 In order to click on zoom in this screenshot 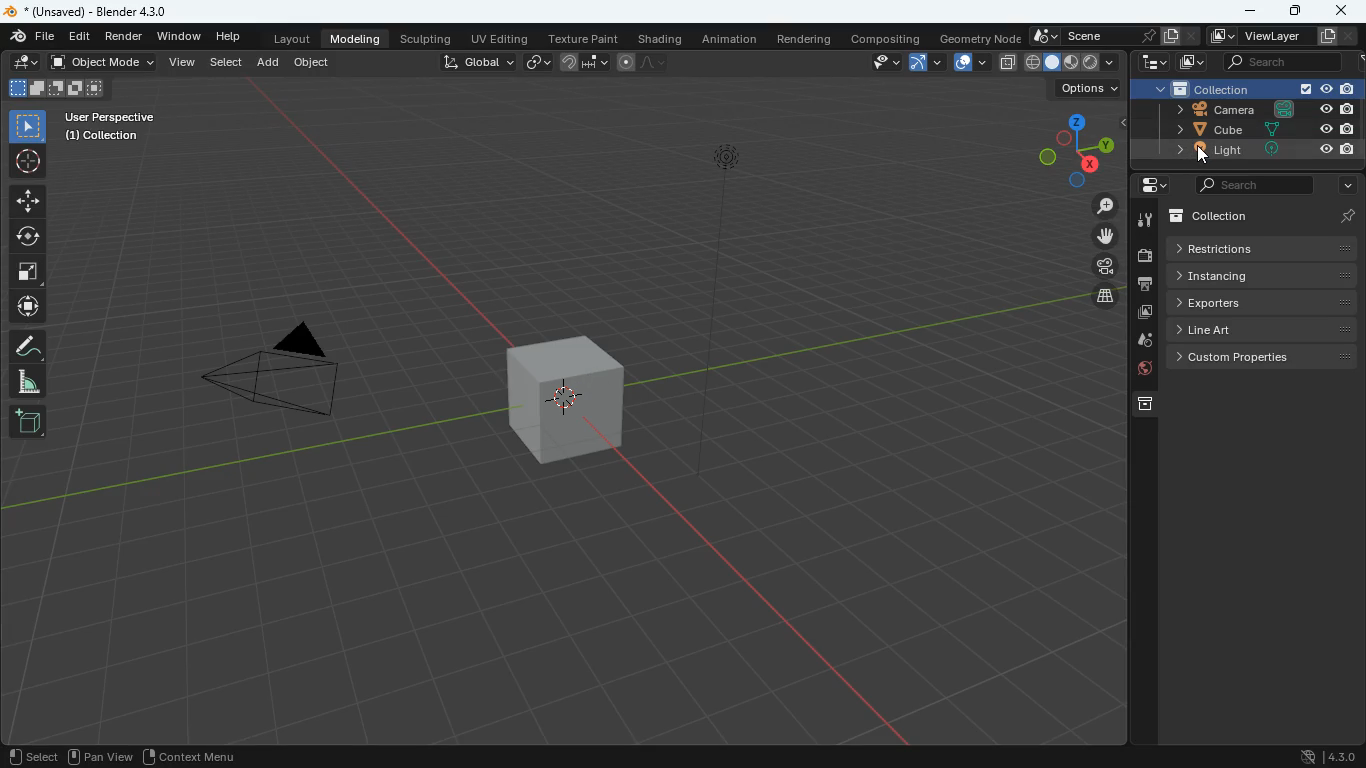, I will do `click(1105, 205)`.